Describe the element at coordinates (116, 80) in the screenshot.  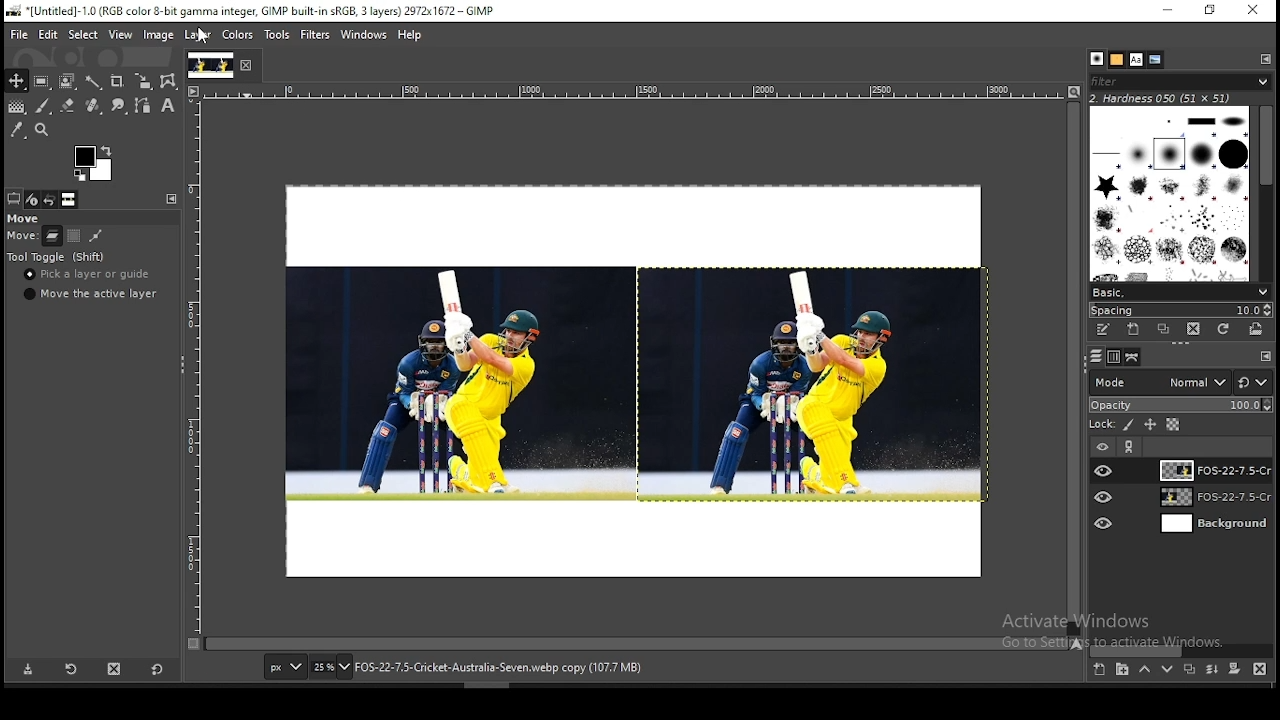
I see `crop tool` at that location.